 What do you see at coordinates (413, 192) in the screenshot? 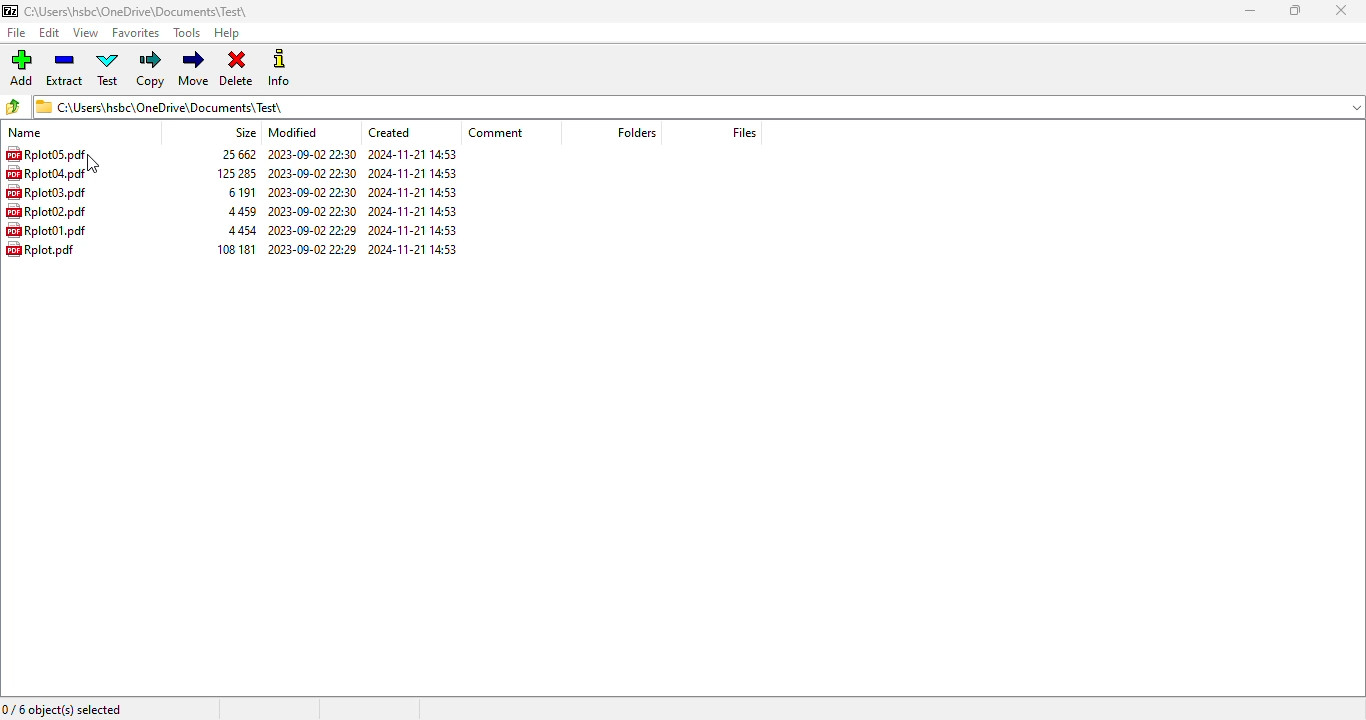
I see `created date & time` at bounding box center [413, 192].